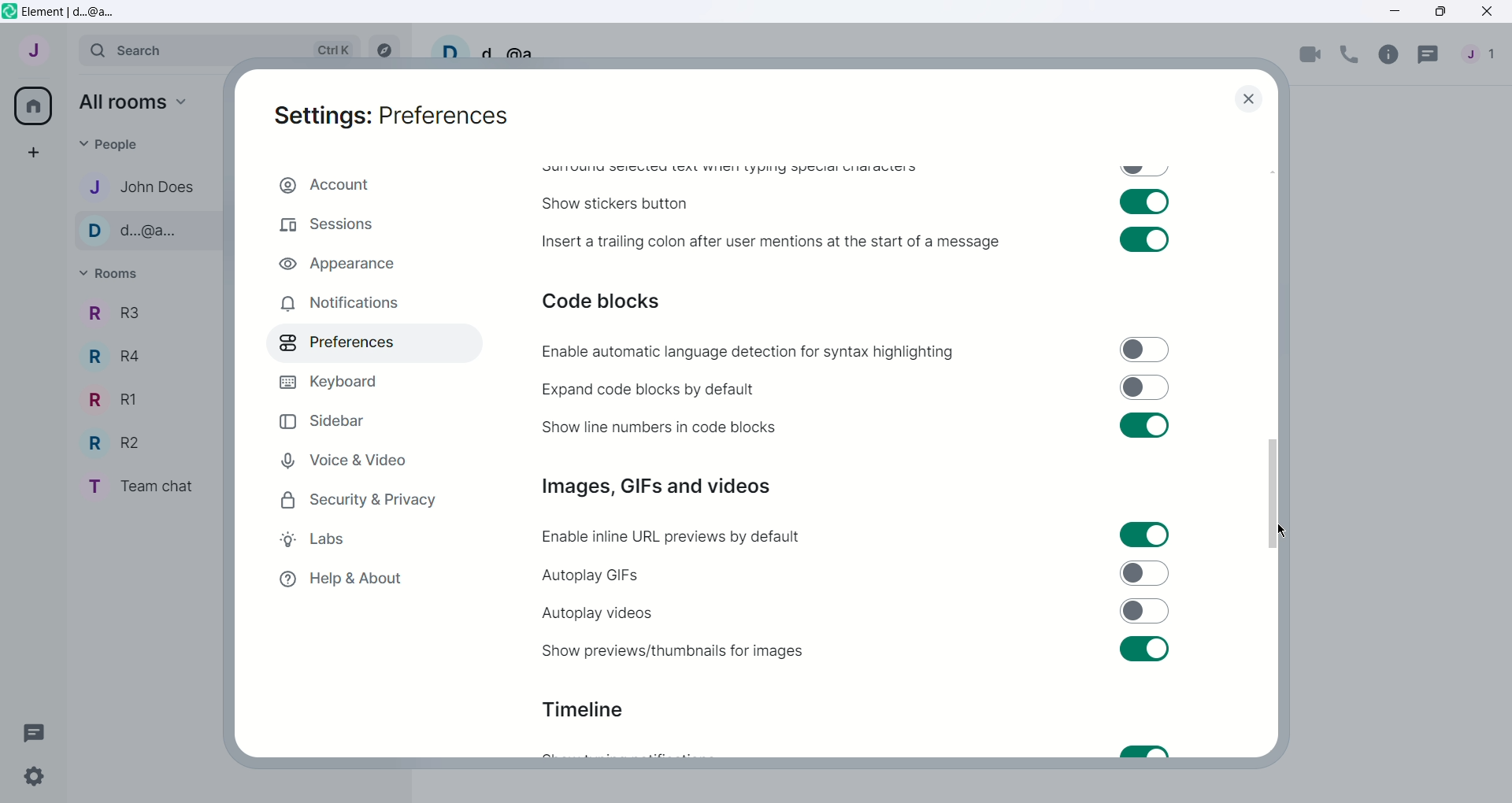  What do you see at coordinates (1144, 350) in the screenshot?
I see `Toggle switch off for enable automatic language detection for syntax highlighting` at bounding box center [1144, 350].